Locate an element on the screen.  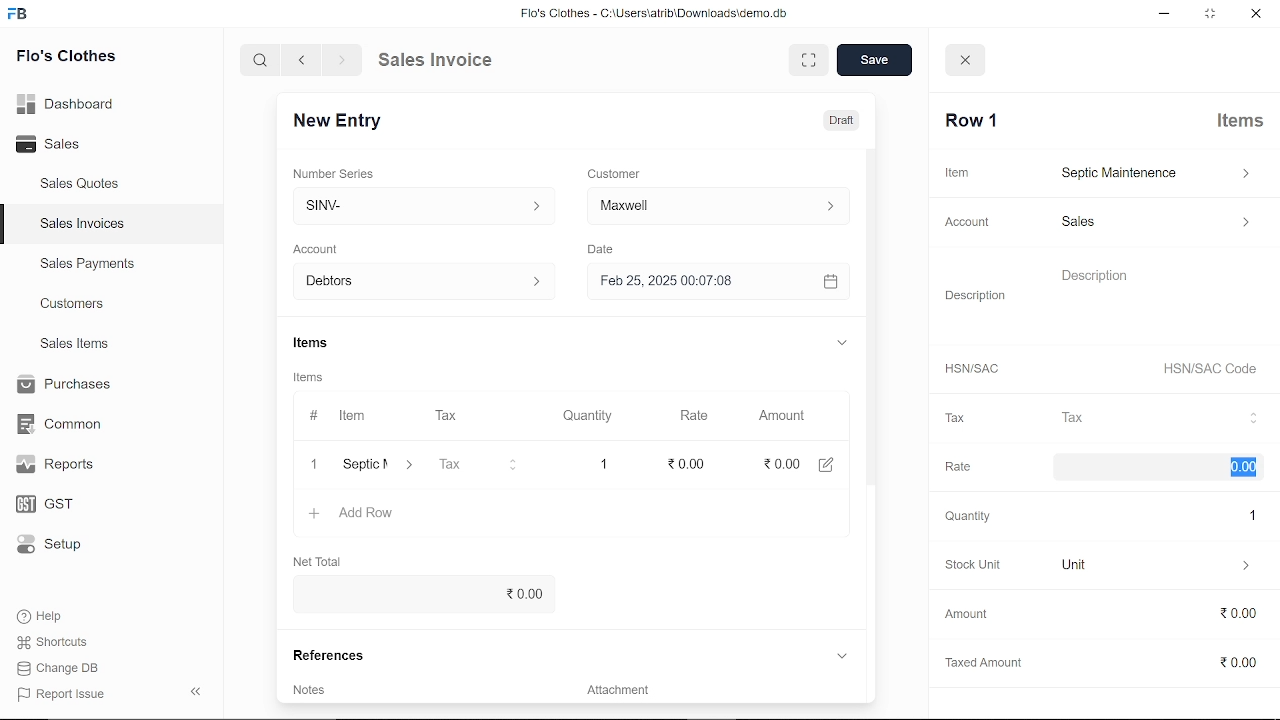
Stock Unit is located at coordinates (968, 565).